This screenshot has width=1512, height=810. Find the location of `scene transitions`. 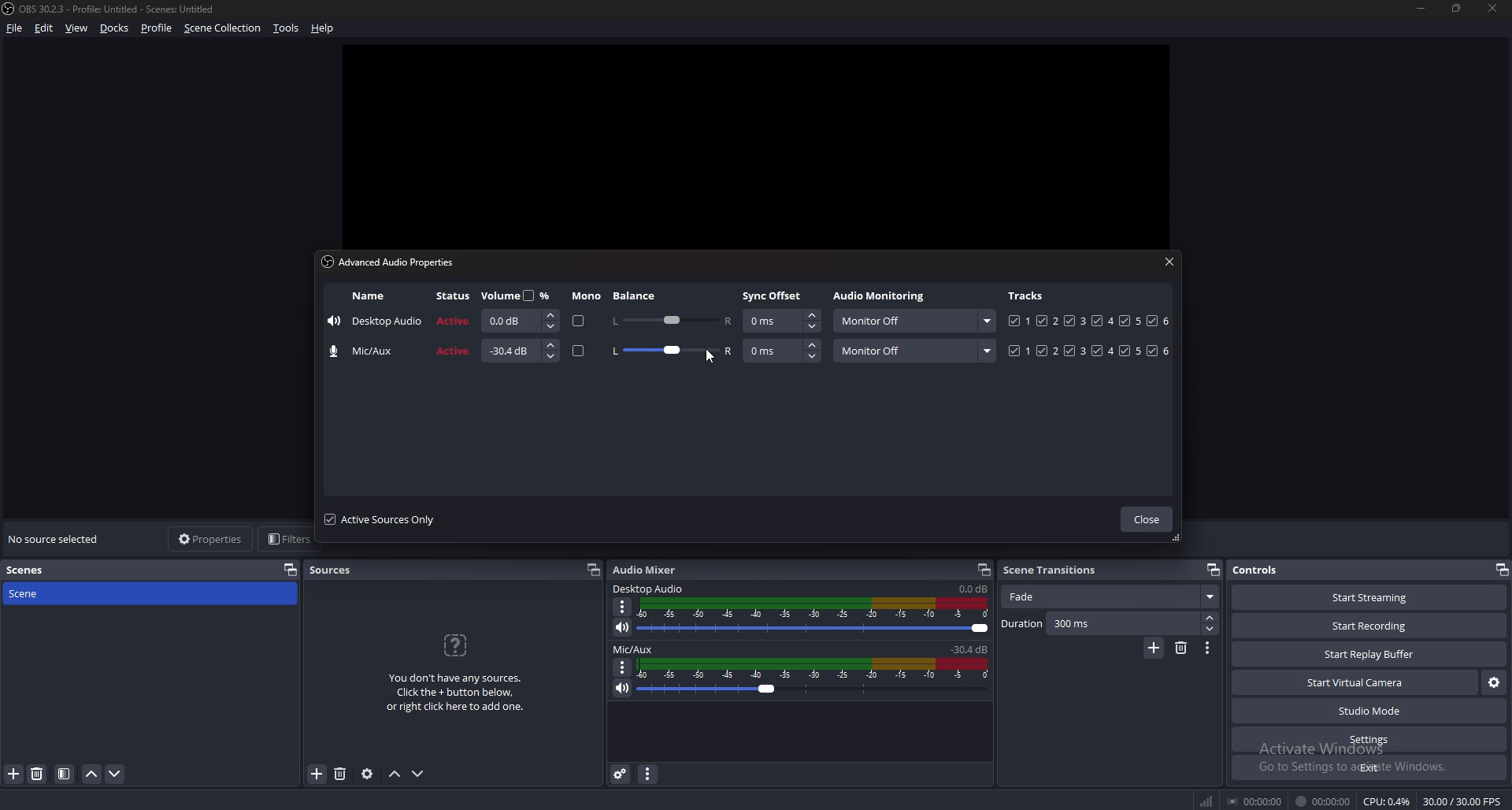

scene transitions is located at coordinates (1054, 570).